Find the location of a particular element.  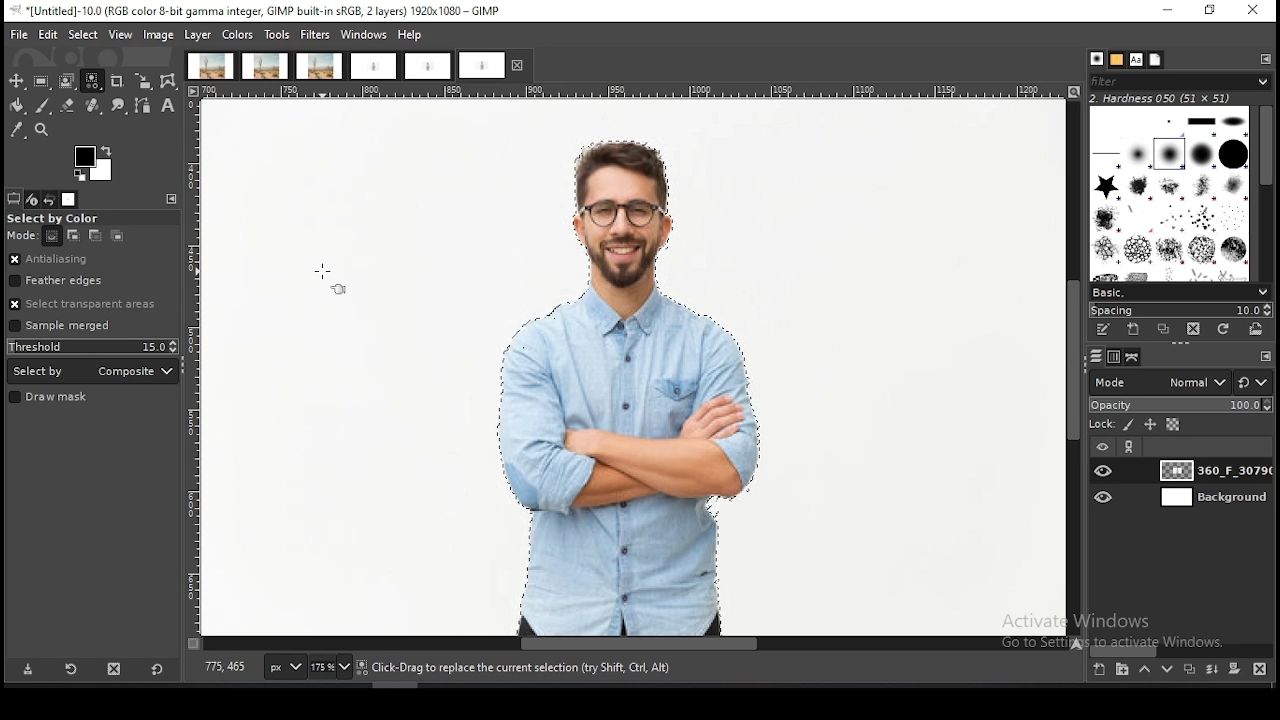

brushes is located at coordinates (1096, 59).